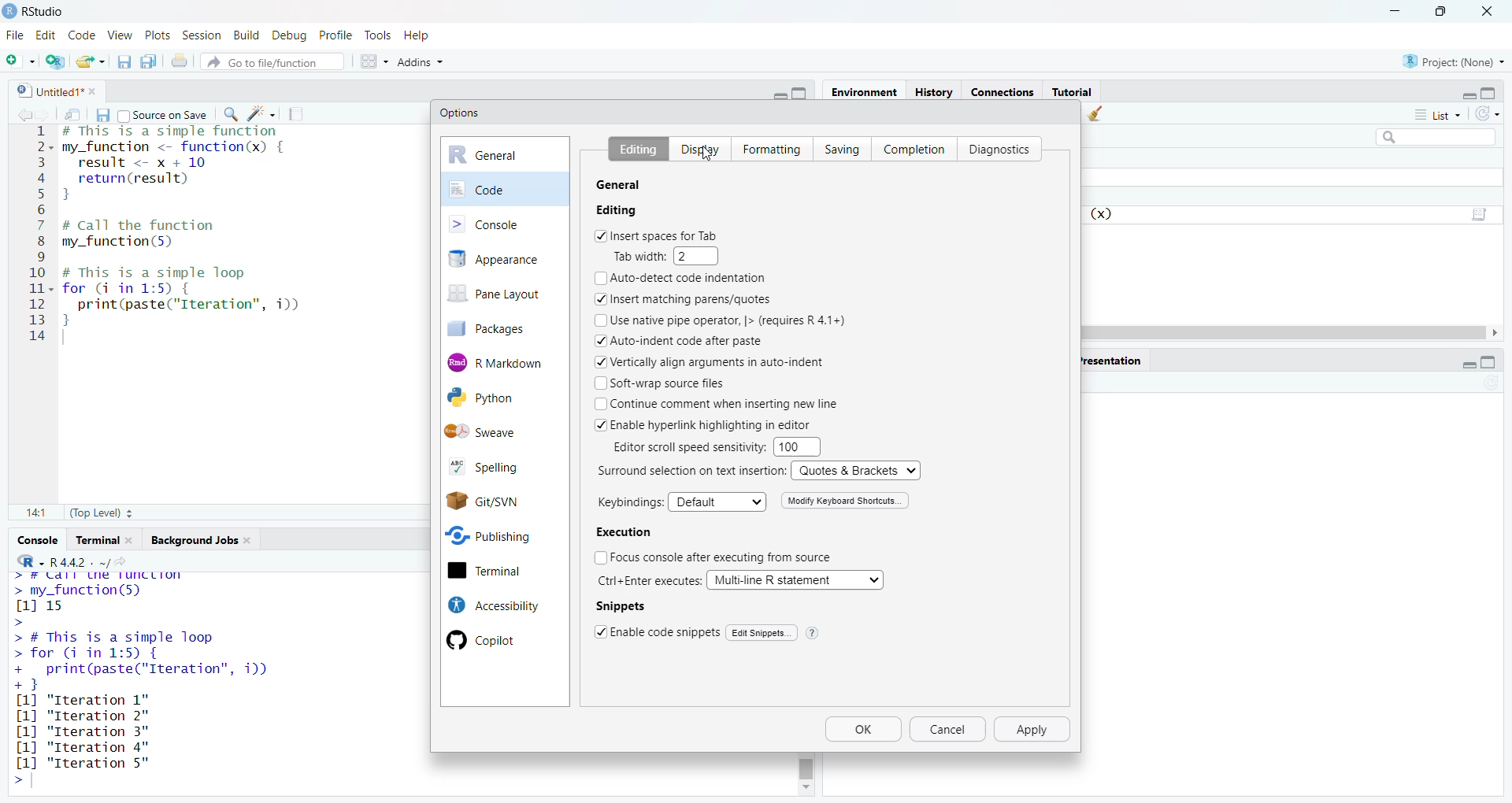 The image size is (1512, 803). What do you see at coordinates (51, 9) in the screenshot?
I see `RStudio` at bounding box center [51, 9].